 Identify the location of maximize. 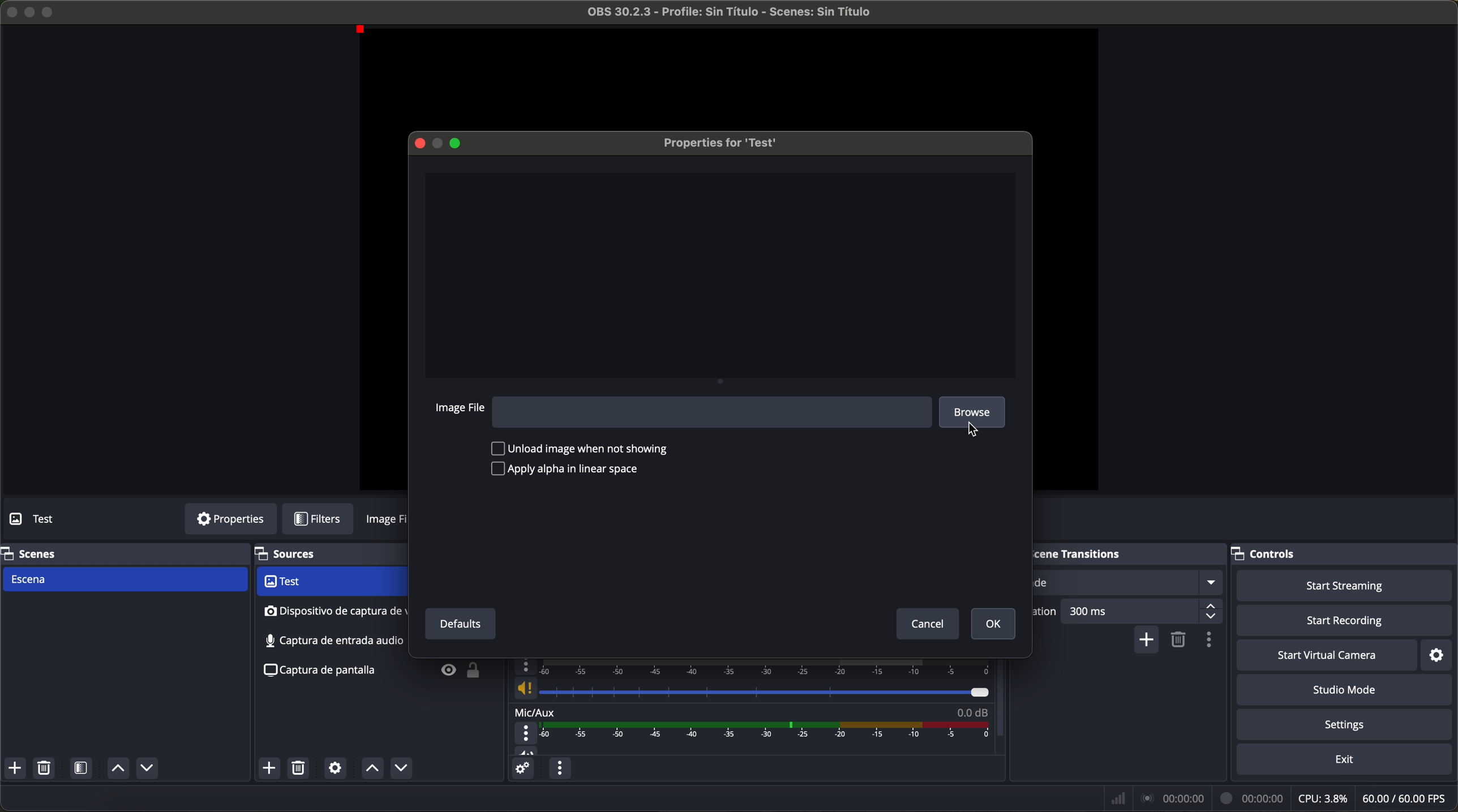
(459, 143).